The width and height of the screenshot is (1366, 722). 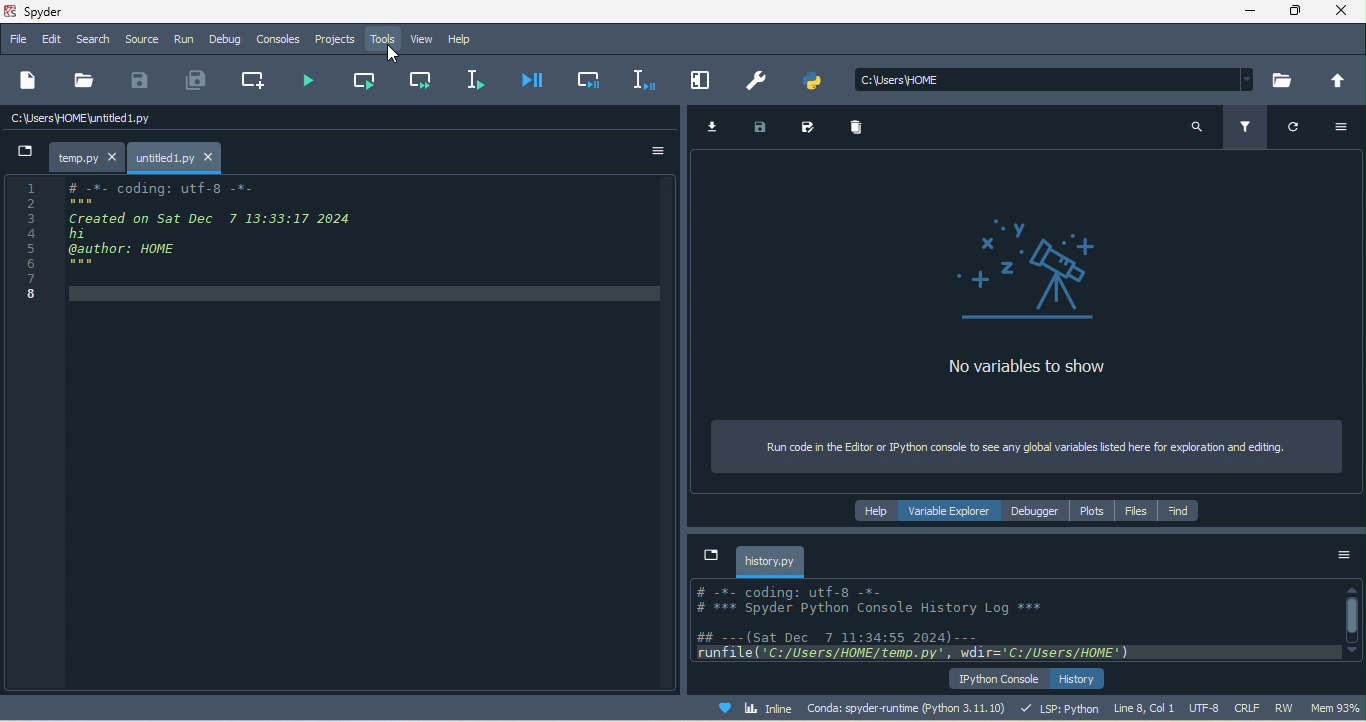 I want to click on run file, so click(x=316, y=81).